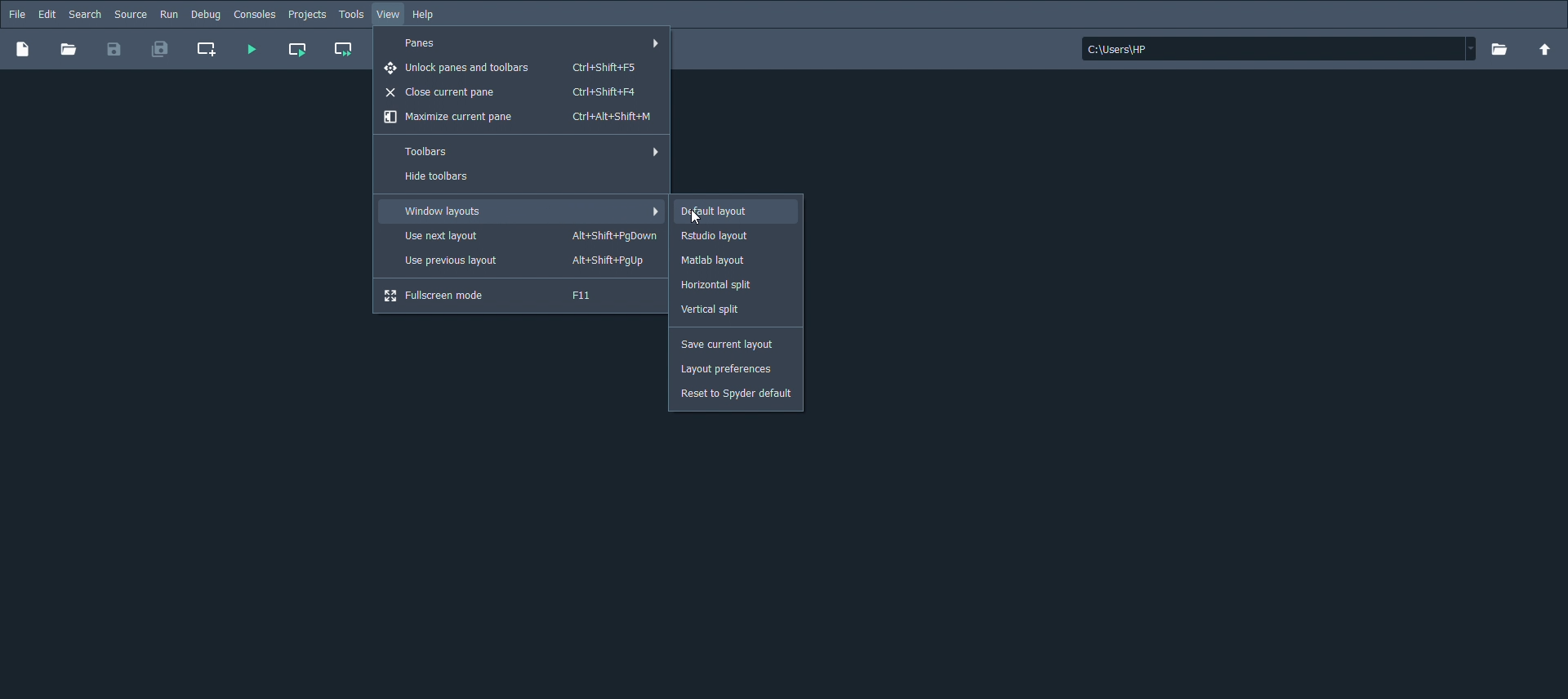  I want to click on Open file, so click(71, 51).